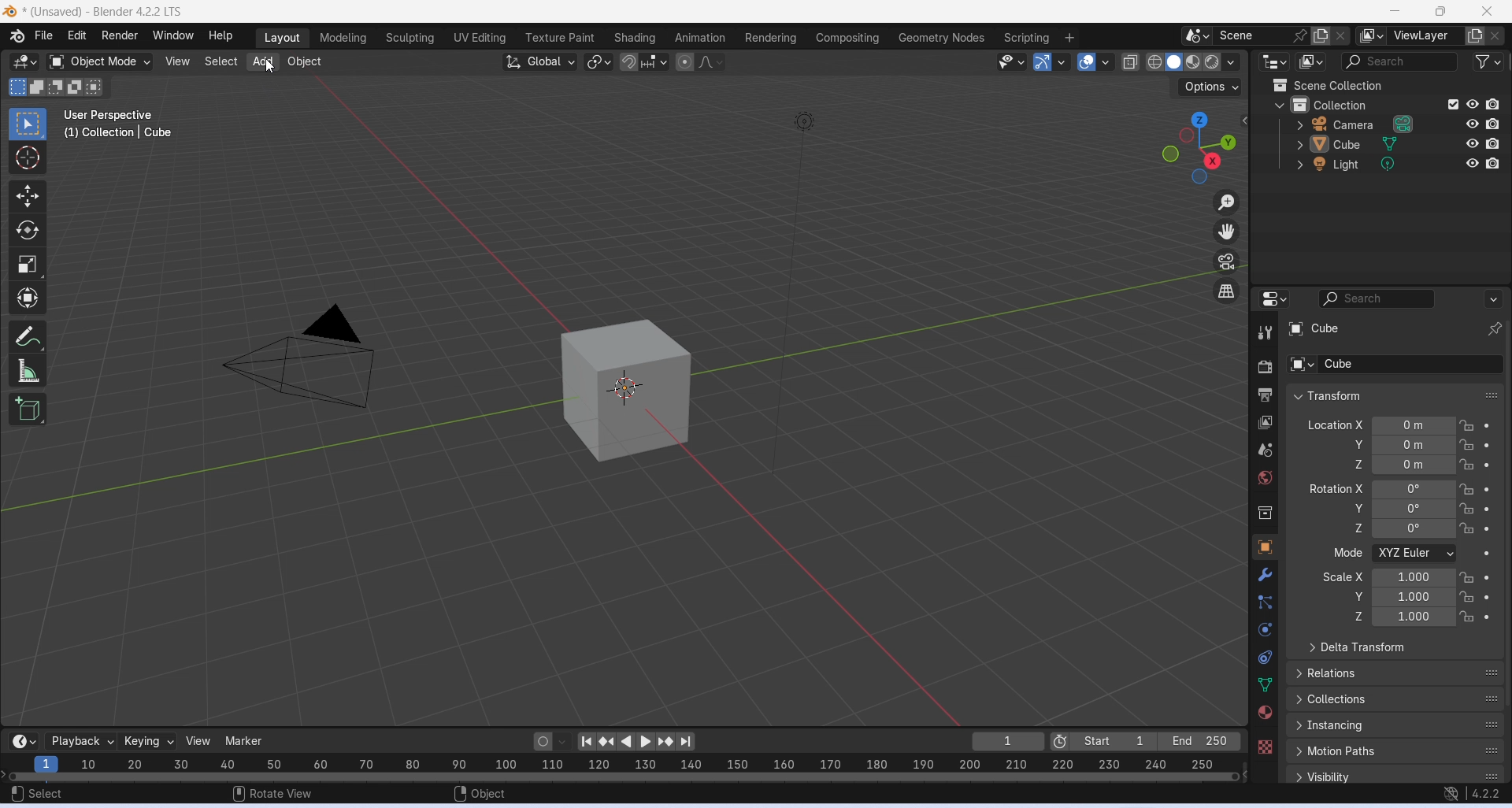  I want to click on Add, so click(261, 63).